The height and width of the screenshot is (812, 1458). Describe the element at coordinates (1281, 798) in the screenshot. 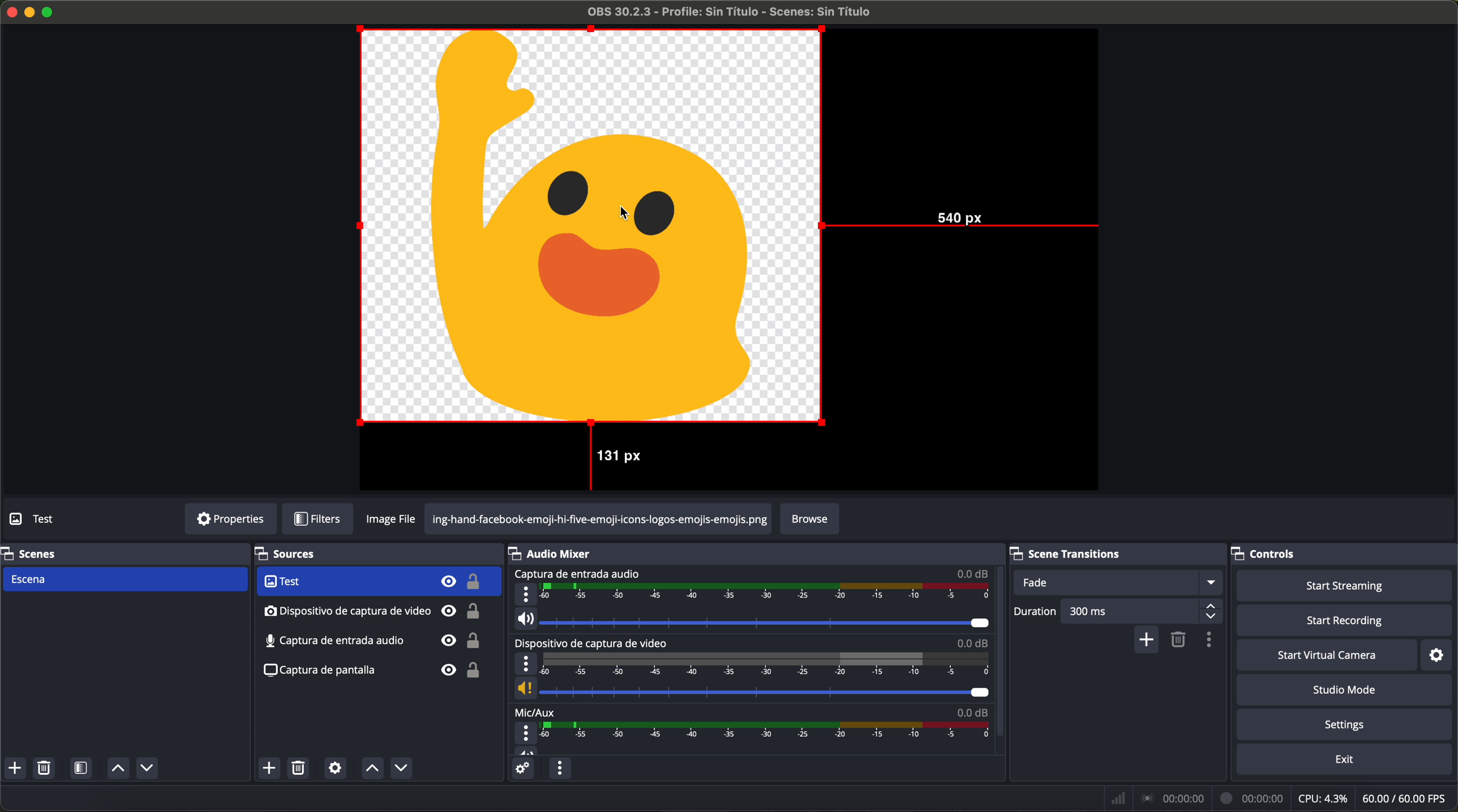

I see `data` at that location.